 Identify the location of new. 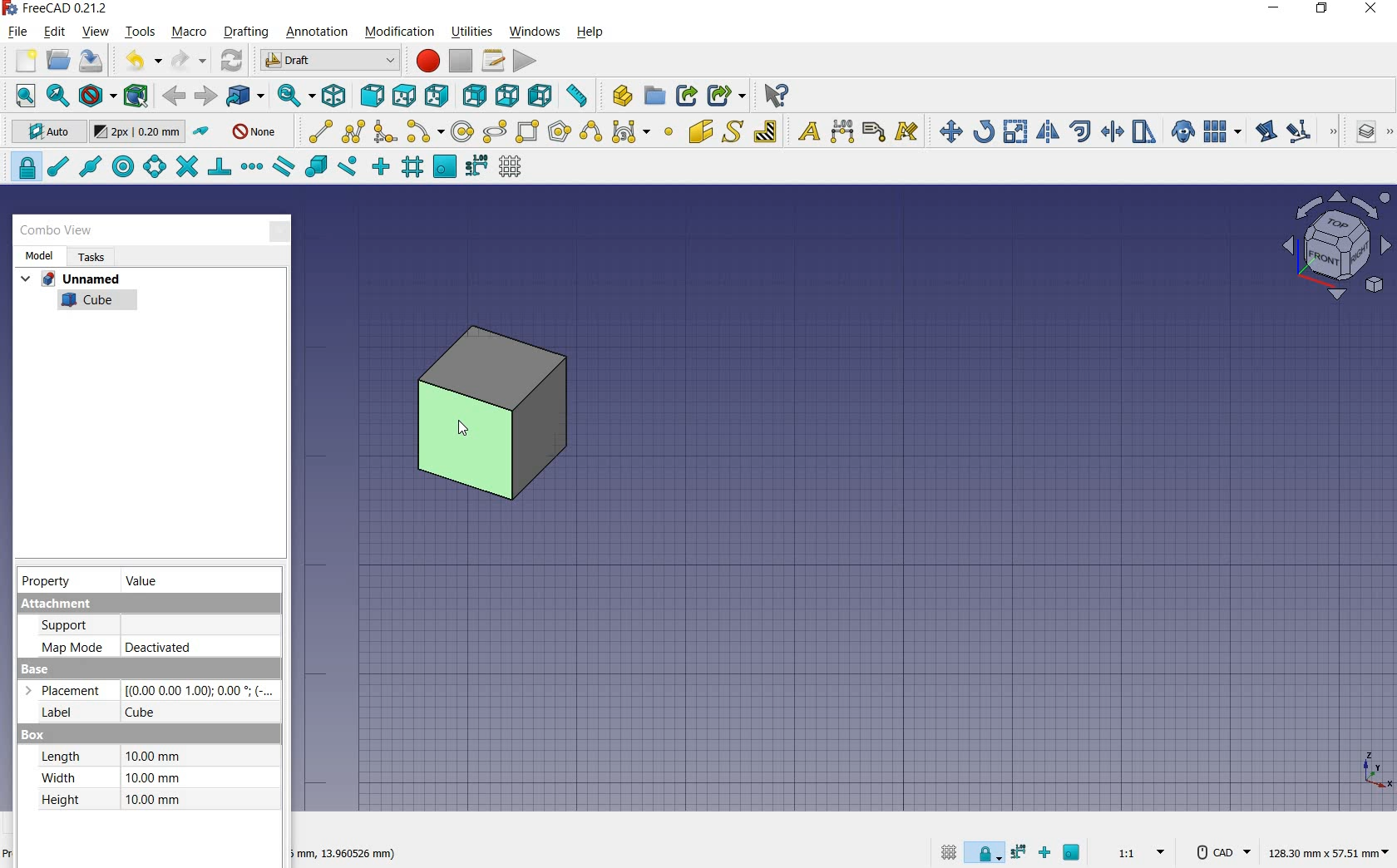
(21, 61).